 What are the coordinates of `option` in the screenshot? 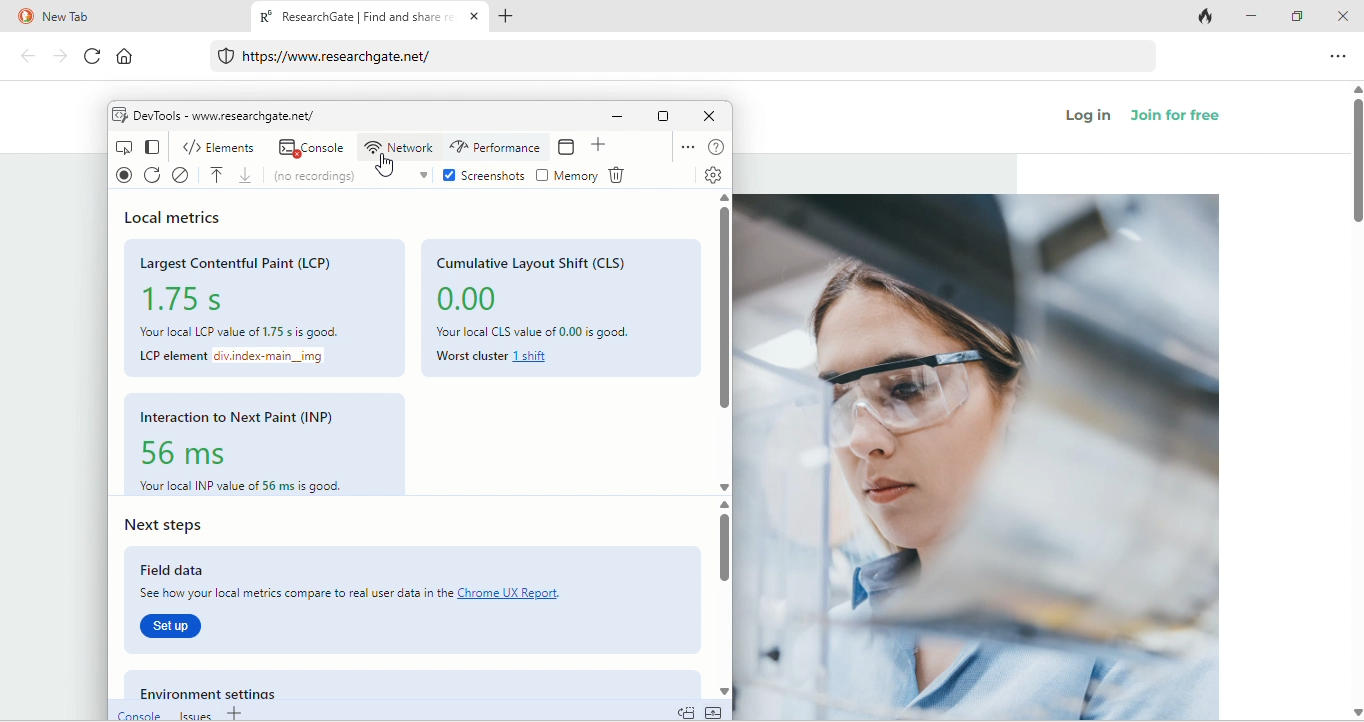 It's located at (1340, 55).